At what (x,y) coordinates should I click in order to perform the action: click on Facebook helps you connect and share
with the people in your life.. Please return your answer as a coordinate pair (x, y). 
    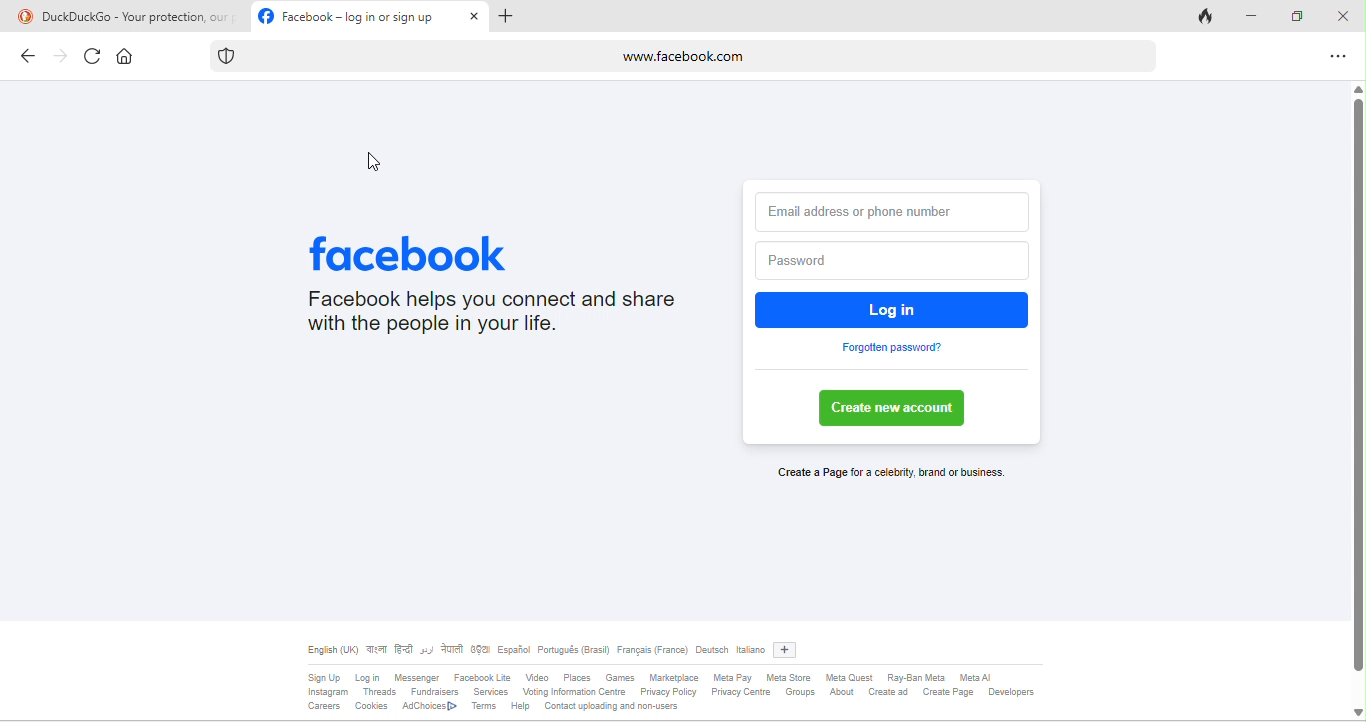
    Looking at the image, I should click on (503, 314).